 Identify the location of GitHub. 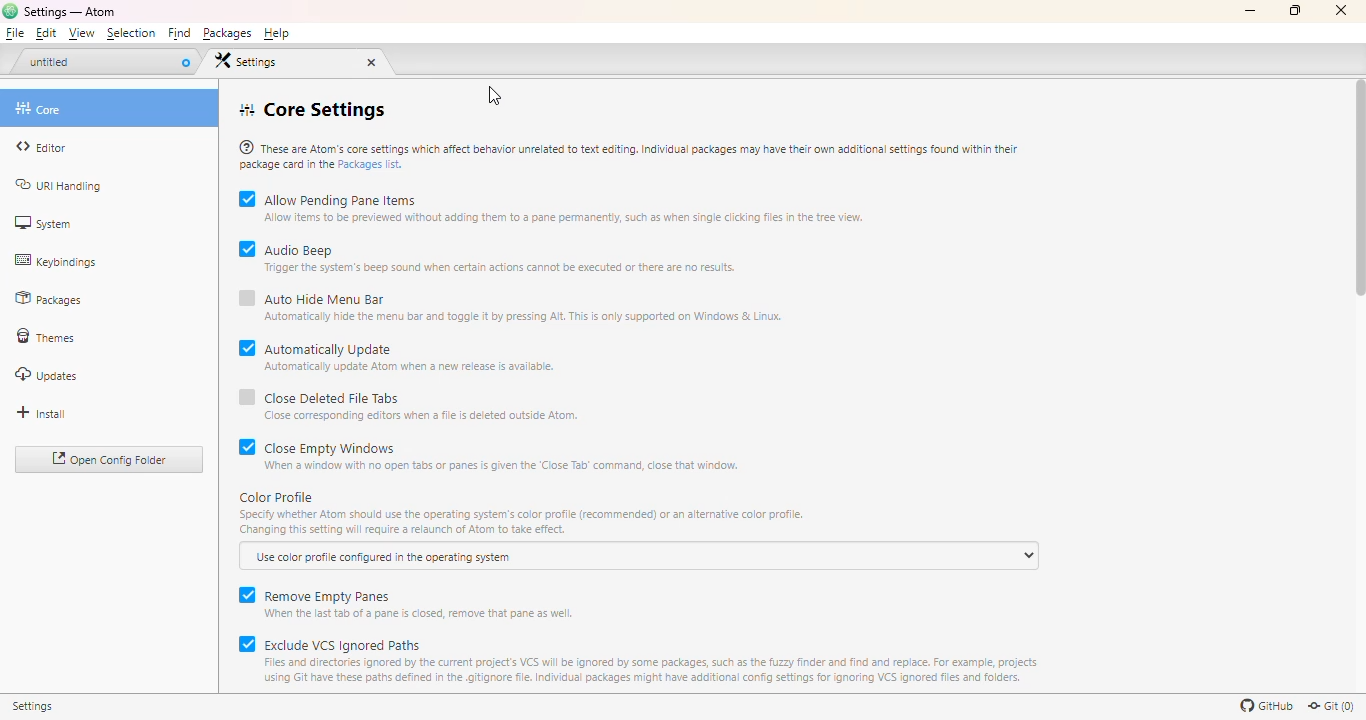
(1266, 705).